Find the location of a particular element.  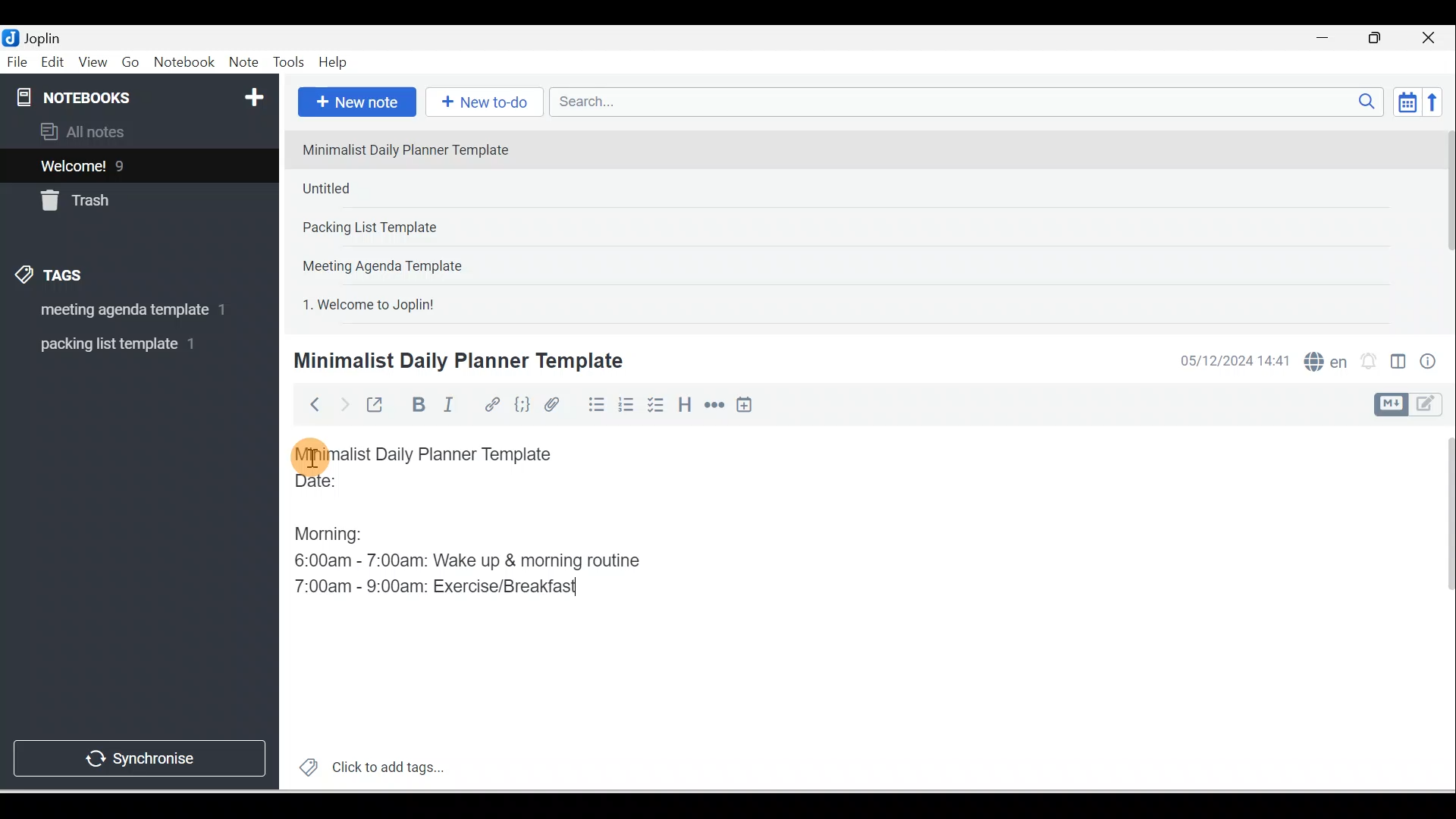

Click to add tags is located at coordinates (366, 765).